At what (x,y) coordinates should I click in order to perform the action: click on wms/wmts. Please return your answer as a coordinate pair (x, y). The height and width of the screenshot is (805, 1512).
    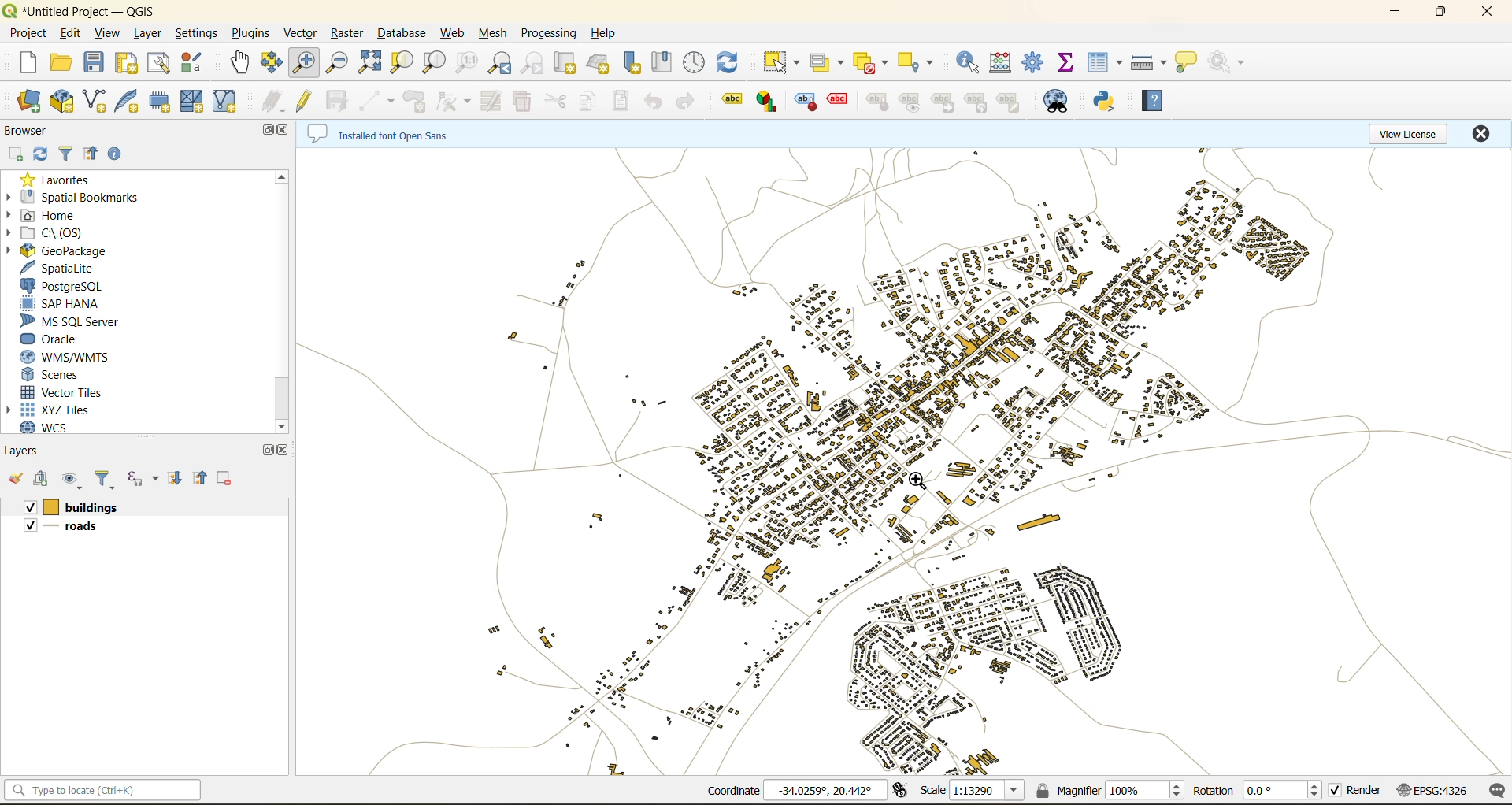
    Looking at the image, I should click on (75, 358).